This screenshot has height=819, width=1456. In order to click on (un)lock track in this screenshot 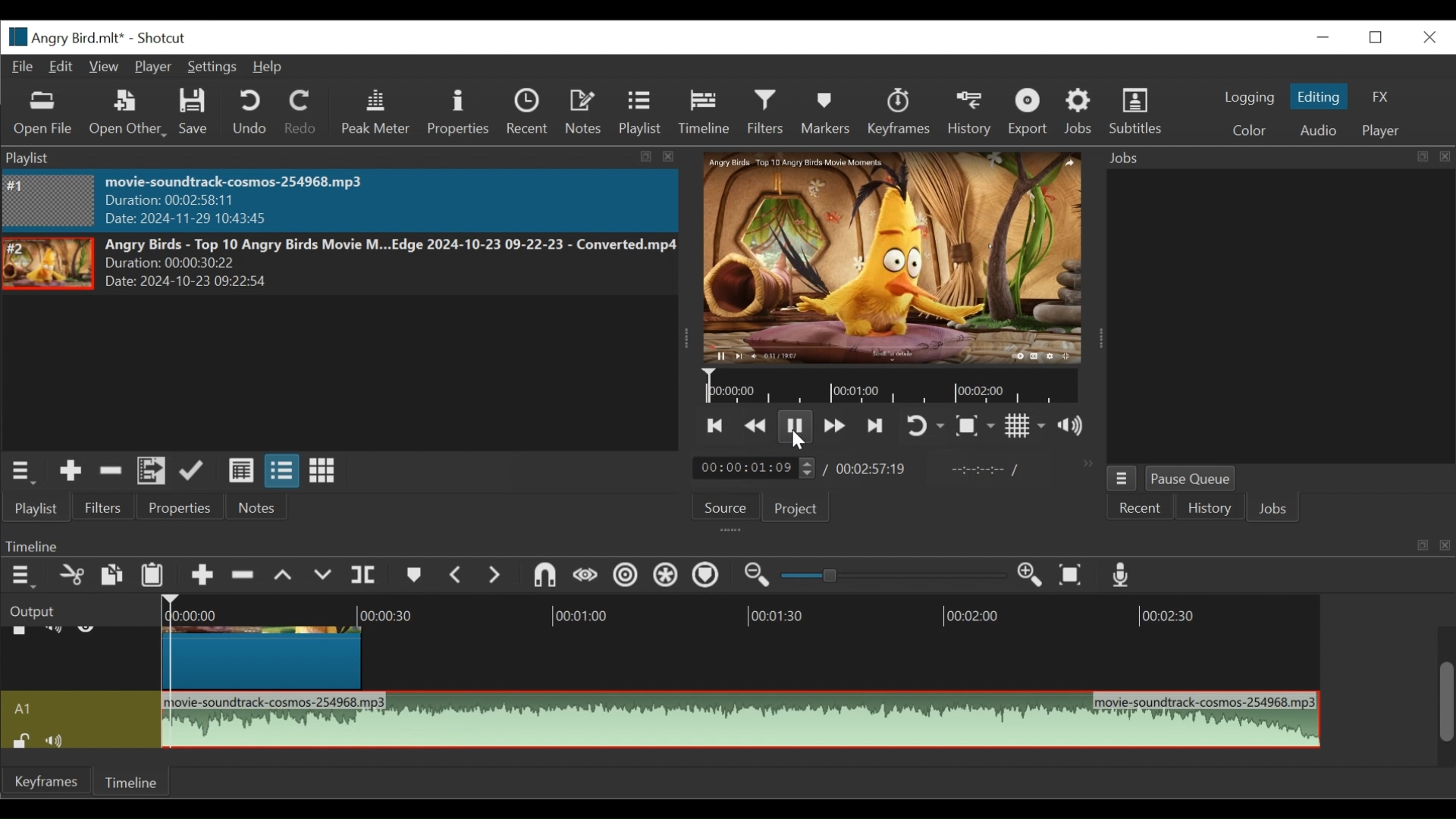, I will do `click(20, 739)`.